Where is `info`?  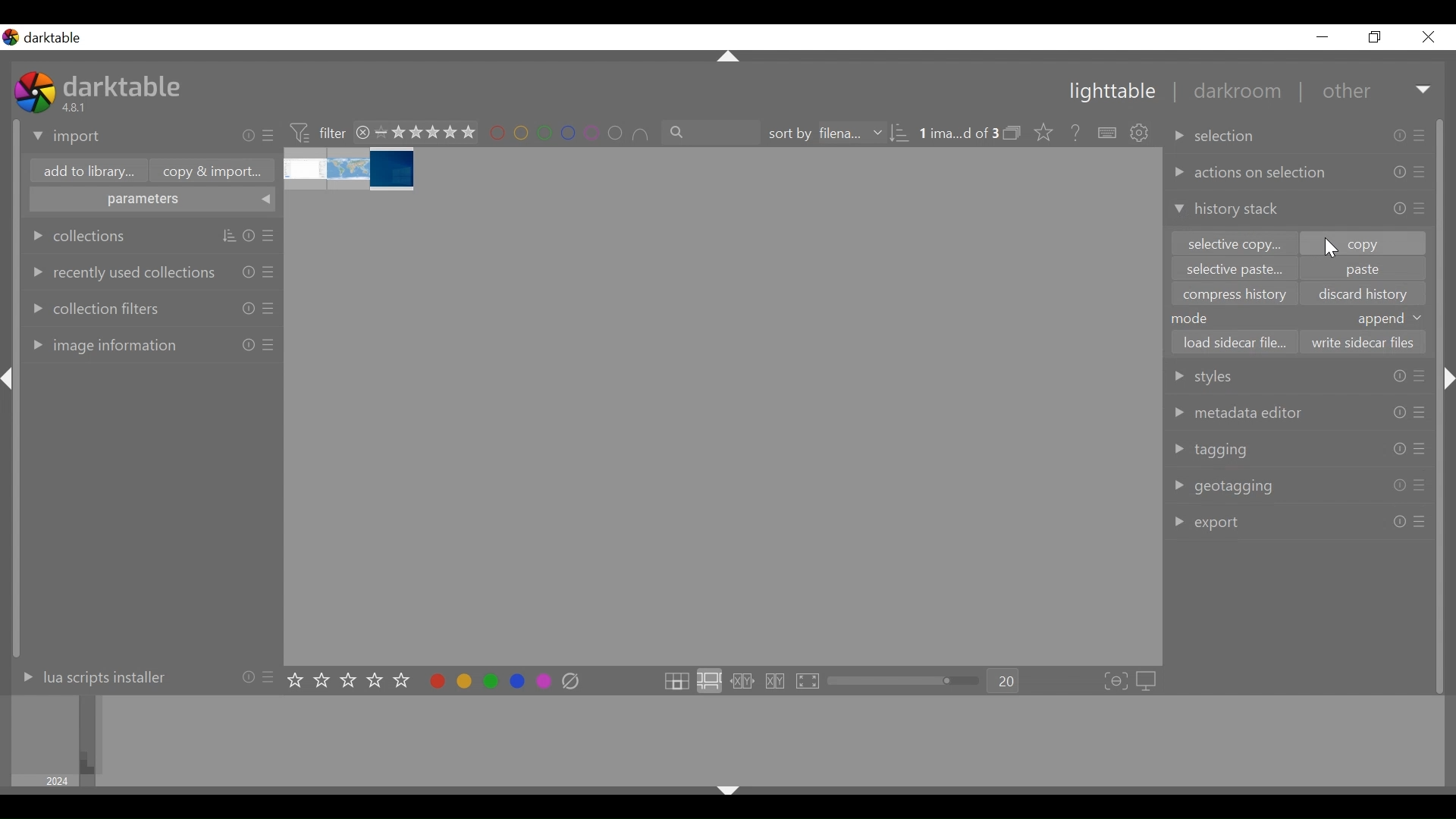 info is located at coordinates (1399, 485).